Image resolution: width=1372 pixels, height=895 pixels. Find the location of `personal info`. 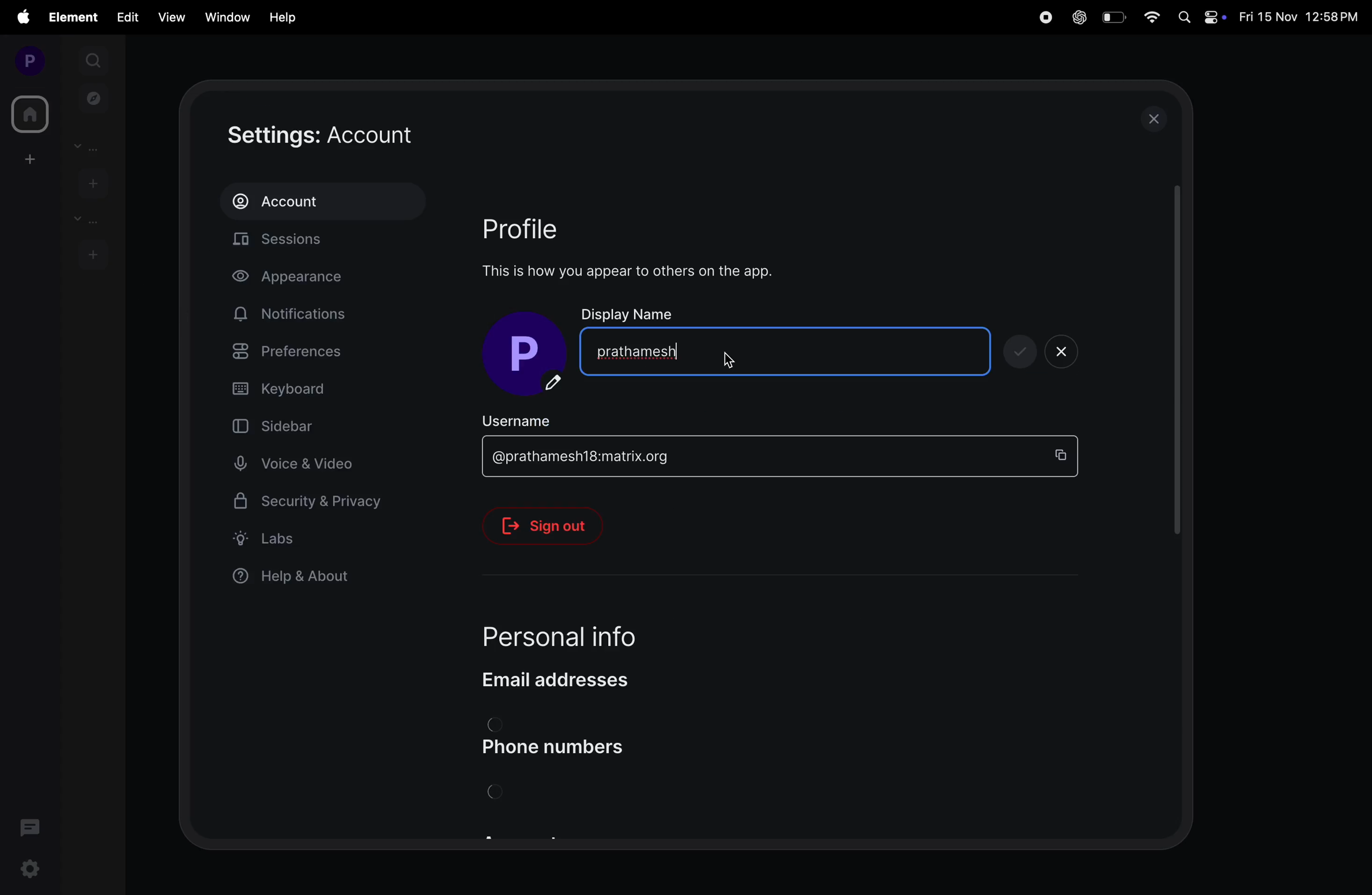

personal info is located at coordinates (587, 631).